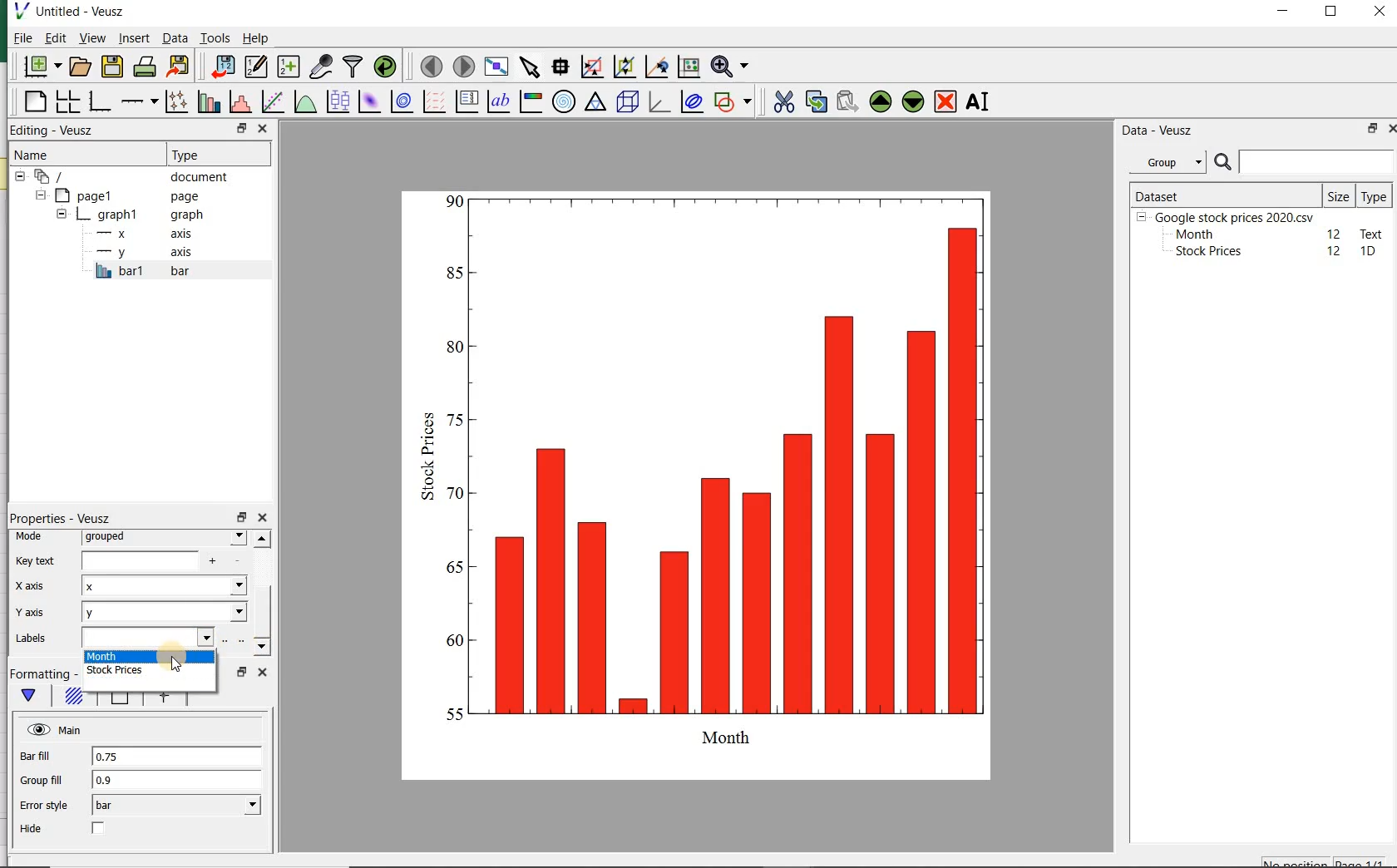 The image size is (1397, 868). I want to click on x axis, so click(137, 234).